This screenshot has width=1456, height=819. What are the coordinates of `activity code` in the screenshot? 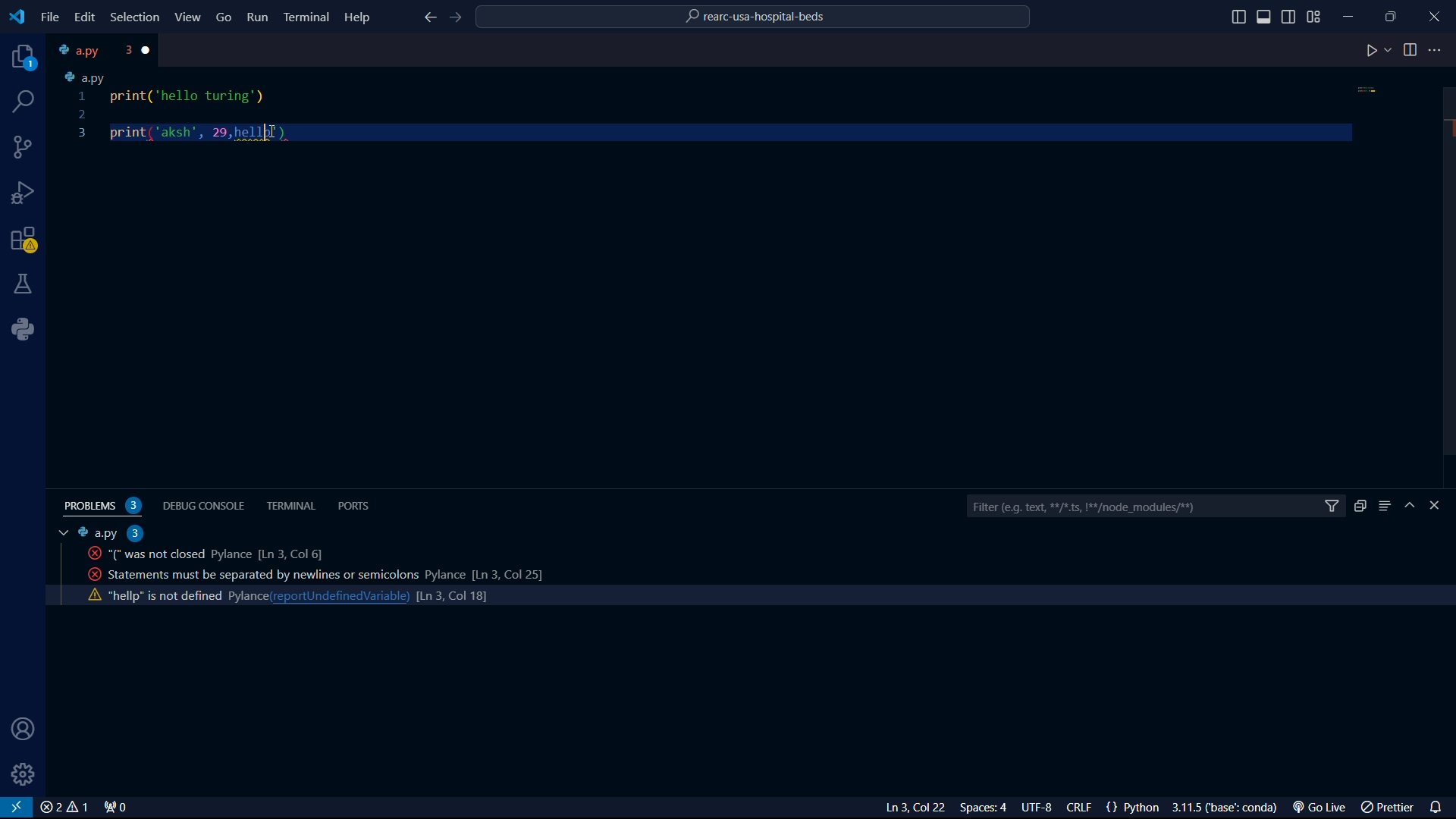 It's located at (200, 554).